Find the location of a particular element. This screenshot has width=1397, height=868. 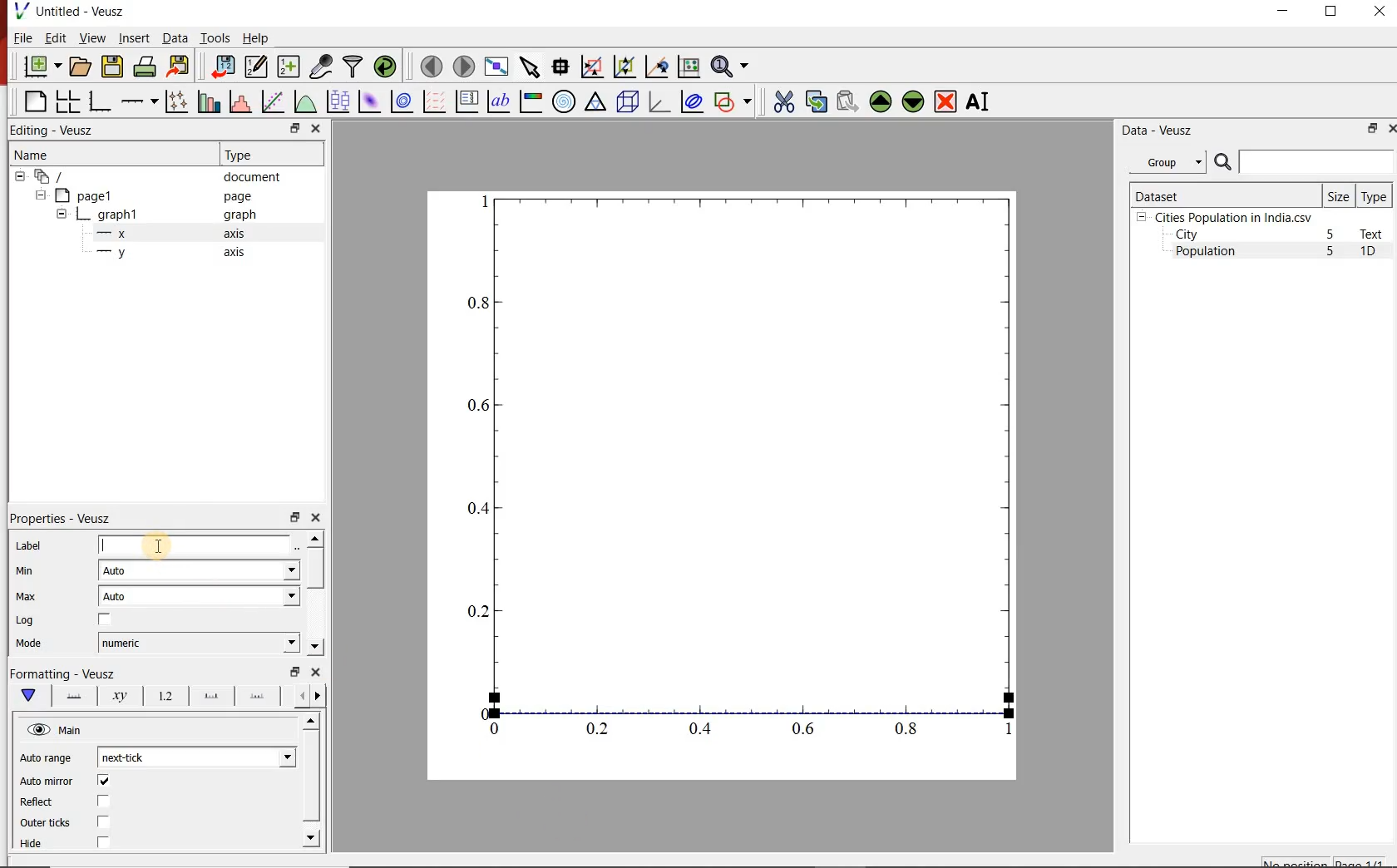

Type is located at coordinates (269, 155).